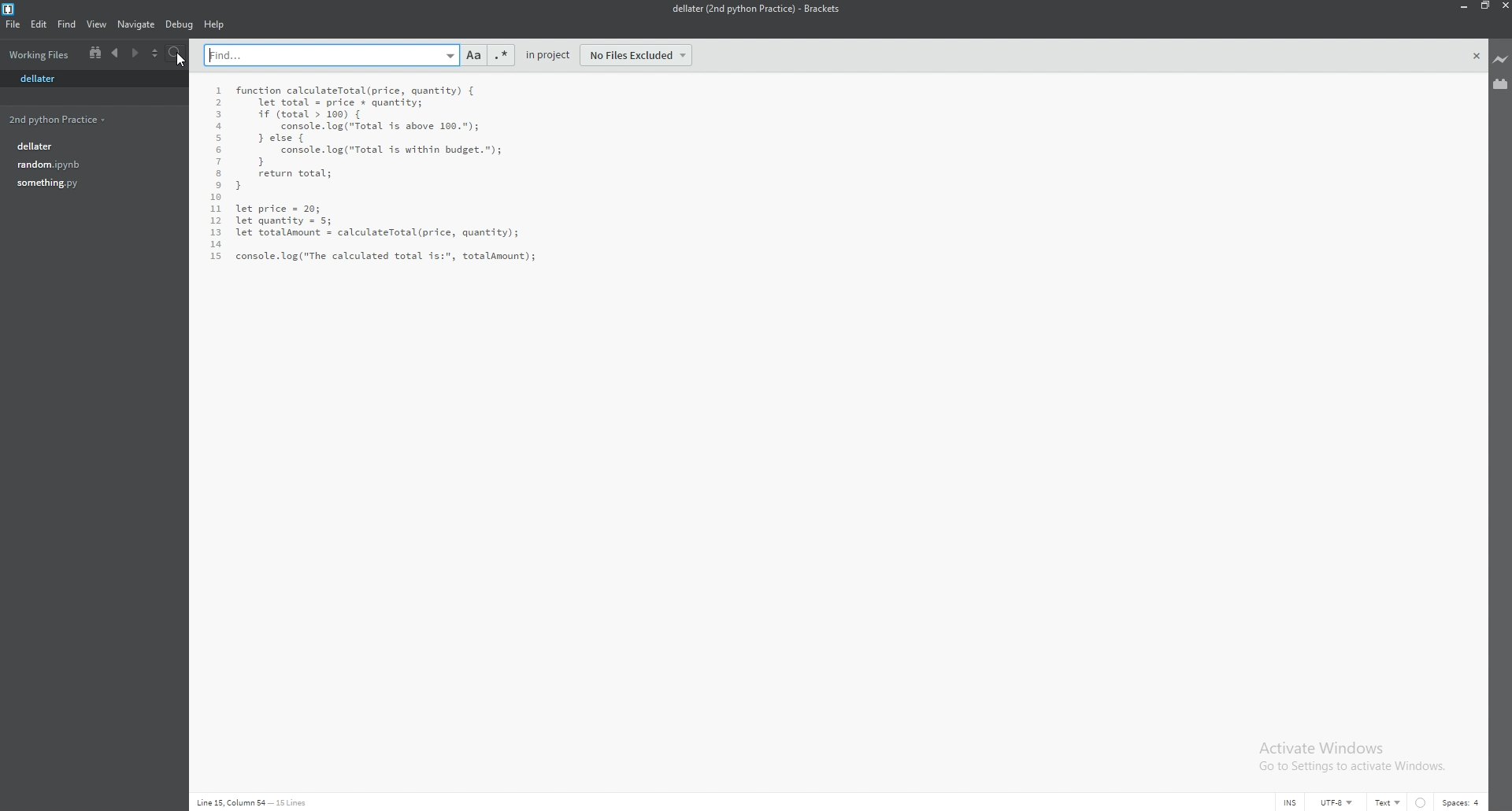  What do you see at coordinates (548, 55) in the screenshot?
I see `in project ` at bounding box center [548, 55].